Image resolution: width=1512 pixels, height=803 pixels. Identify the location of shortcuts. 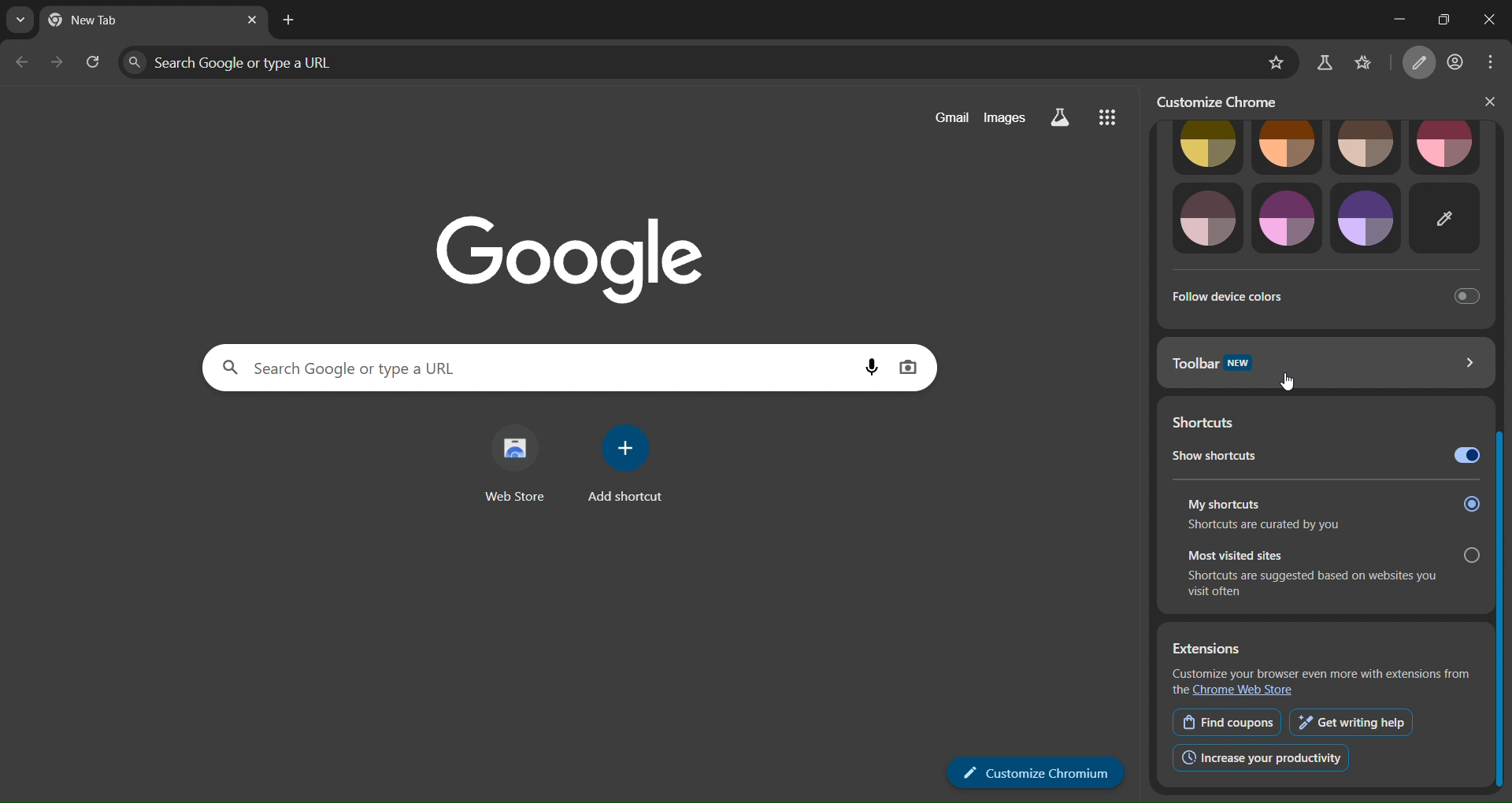
(1221, 422).